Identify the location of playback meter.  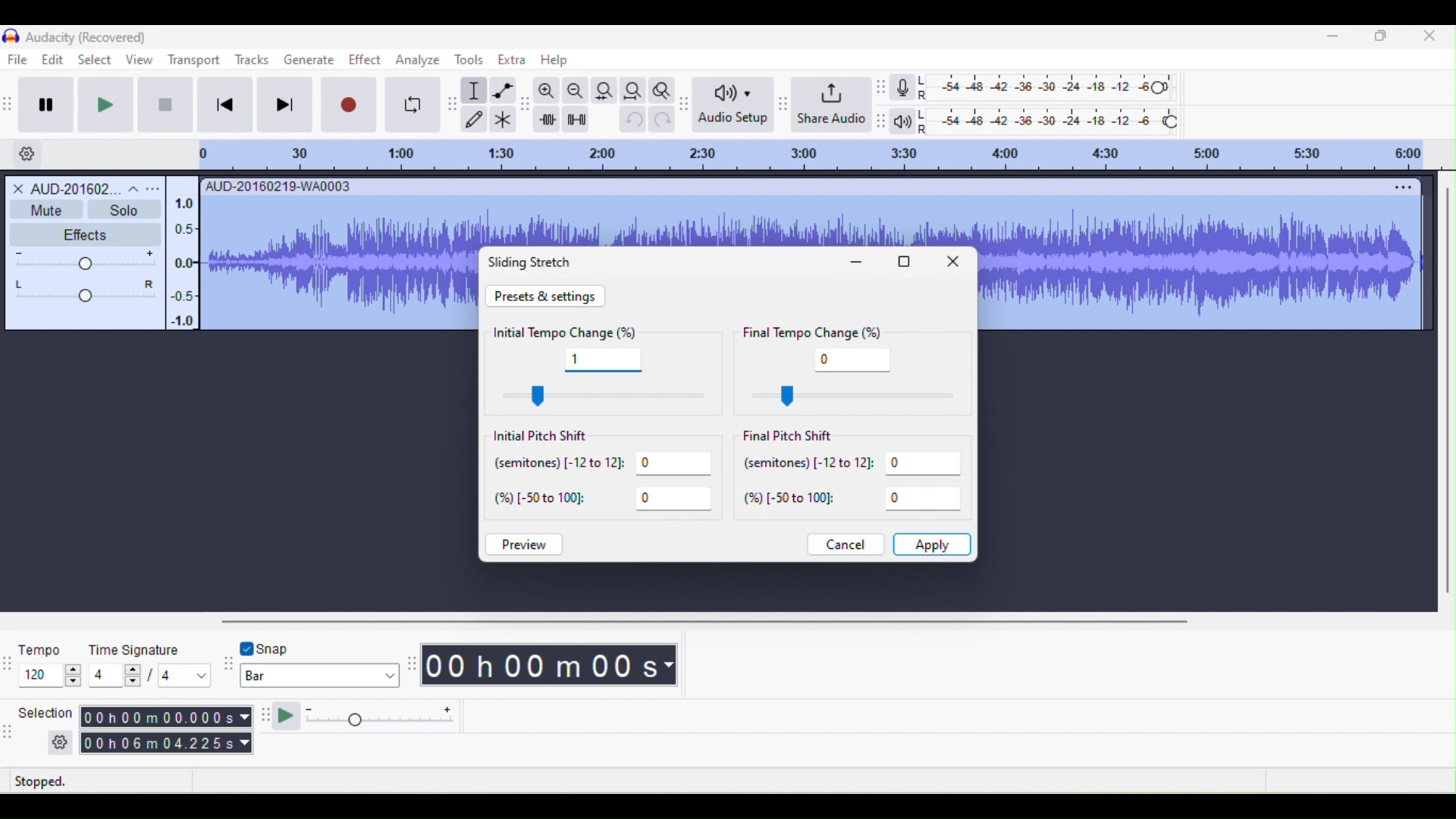
(903, 124).